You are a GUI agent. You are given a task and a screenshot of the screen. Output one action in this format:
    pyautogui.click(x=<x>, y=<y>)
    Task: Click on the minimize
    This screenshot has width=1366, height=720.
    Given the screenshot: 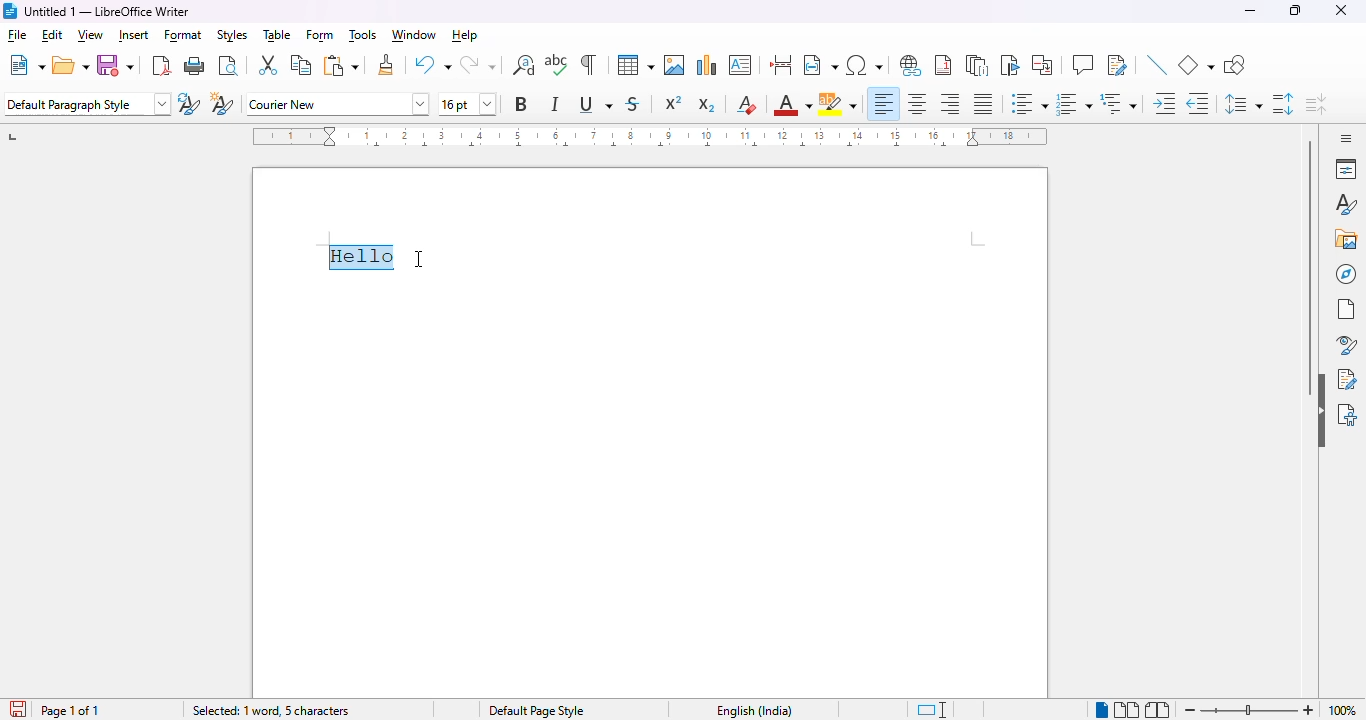 What is the action you would take?
    pyautogui.click(x=1251, y=11)
    